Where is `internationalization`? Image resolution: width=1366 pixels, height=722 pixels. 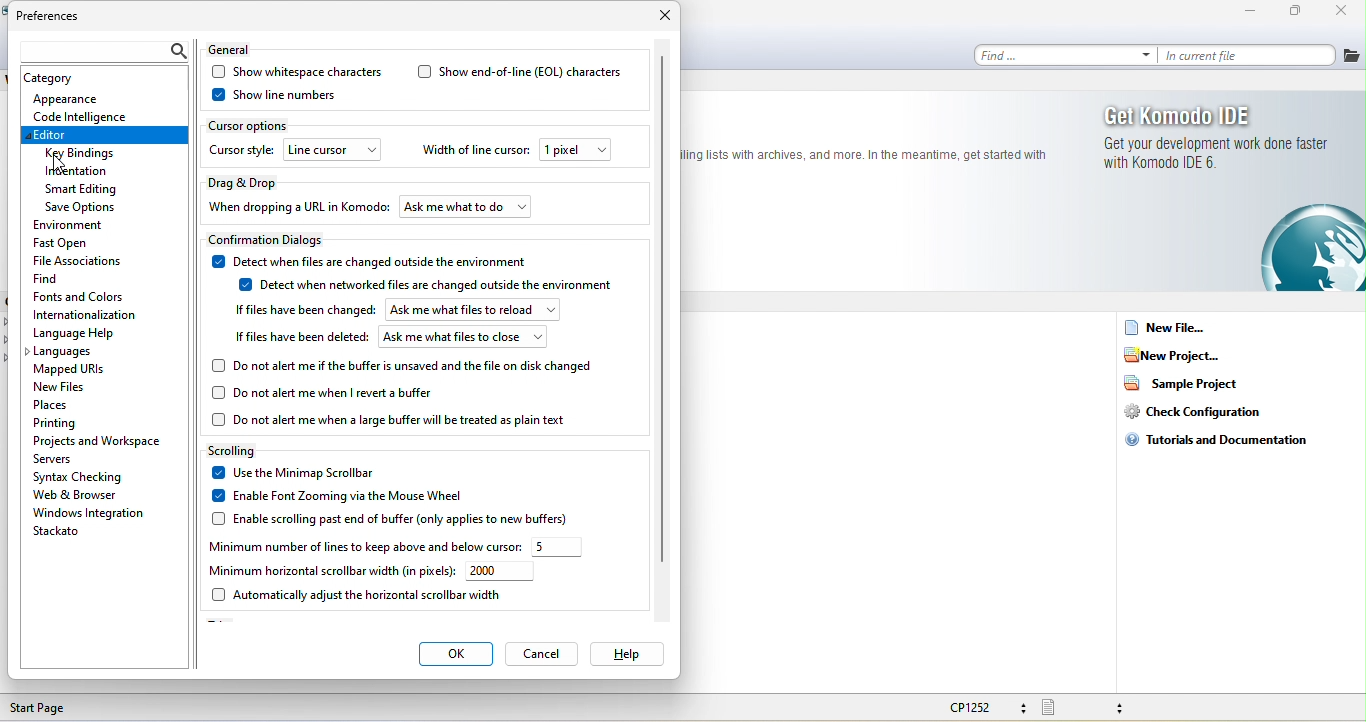 internationalization is located at coordinates (87, 314).